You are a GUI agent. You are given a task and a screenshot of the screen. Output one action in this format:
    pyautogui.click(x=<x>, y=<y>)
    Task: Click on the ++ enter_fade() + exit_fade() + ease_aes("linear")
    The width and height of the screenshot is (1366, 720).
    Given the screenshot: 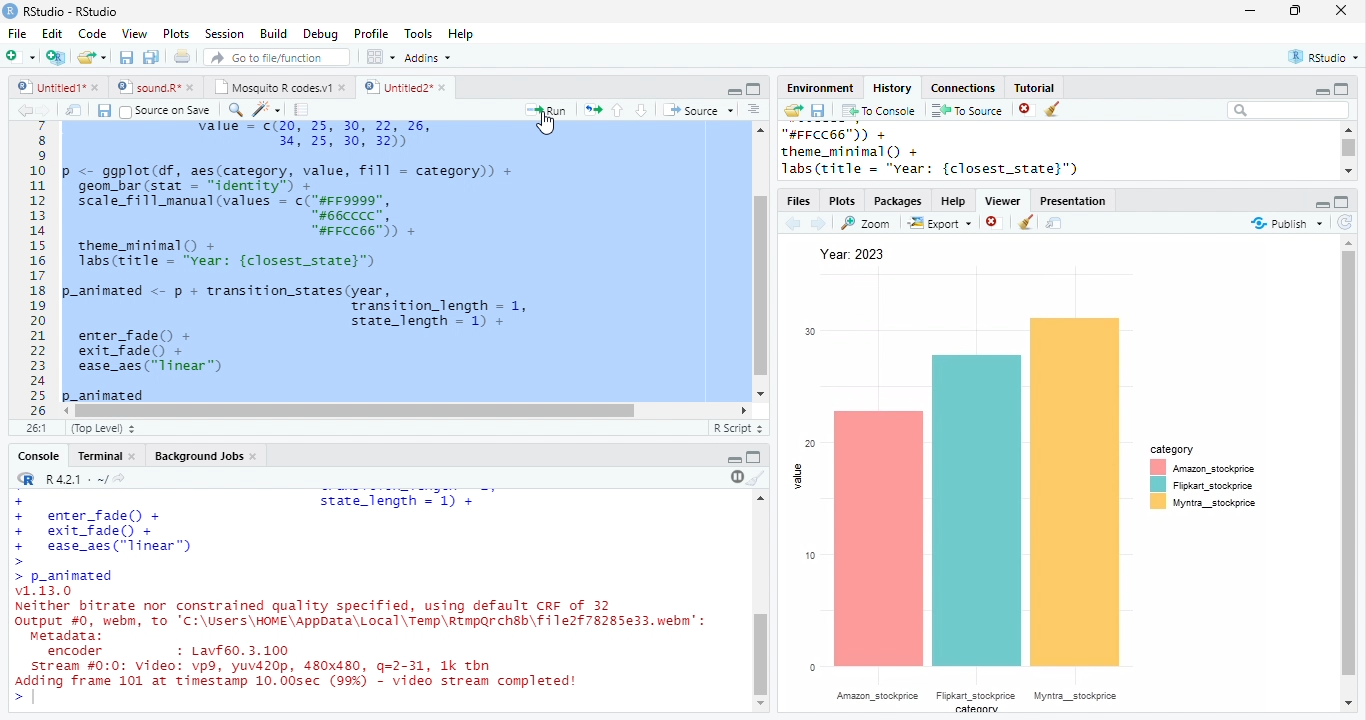 What is the action you would take?
    pyautogui.click(x=111, y=526)
    